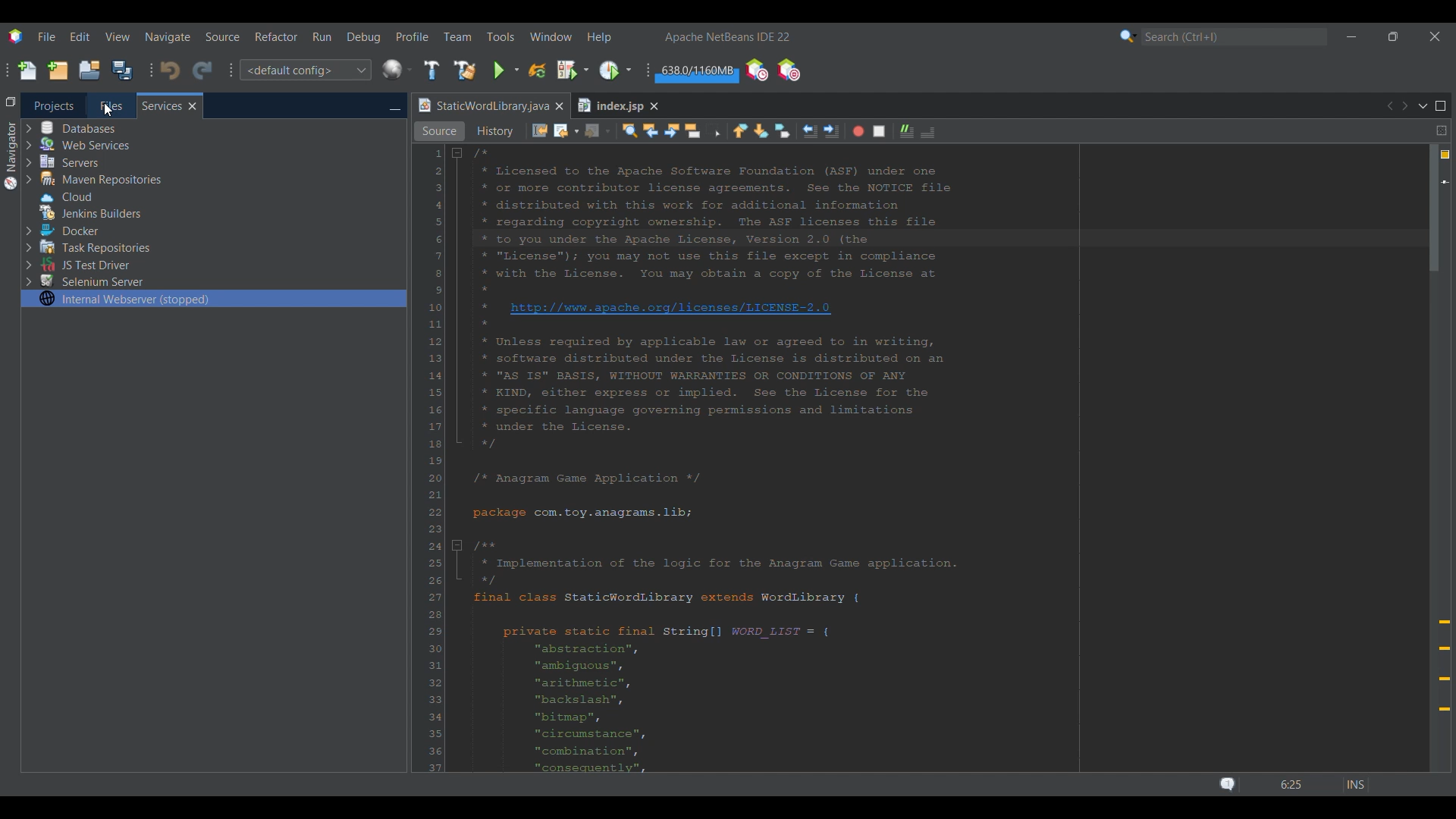 The image size is (1456, 819). I want to click on IDE's default browser, so click(397, 70).